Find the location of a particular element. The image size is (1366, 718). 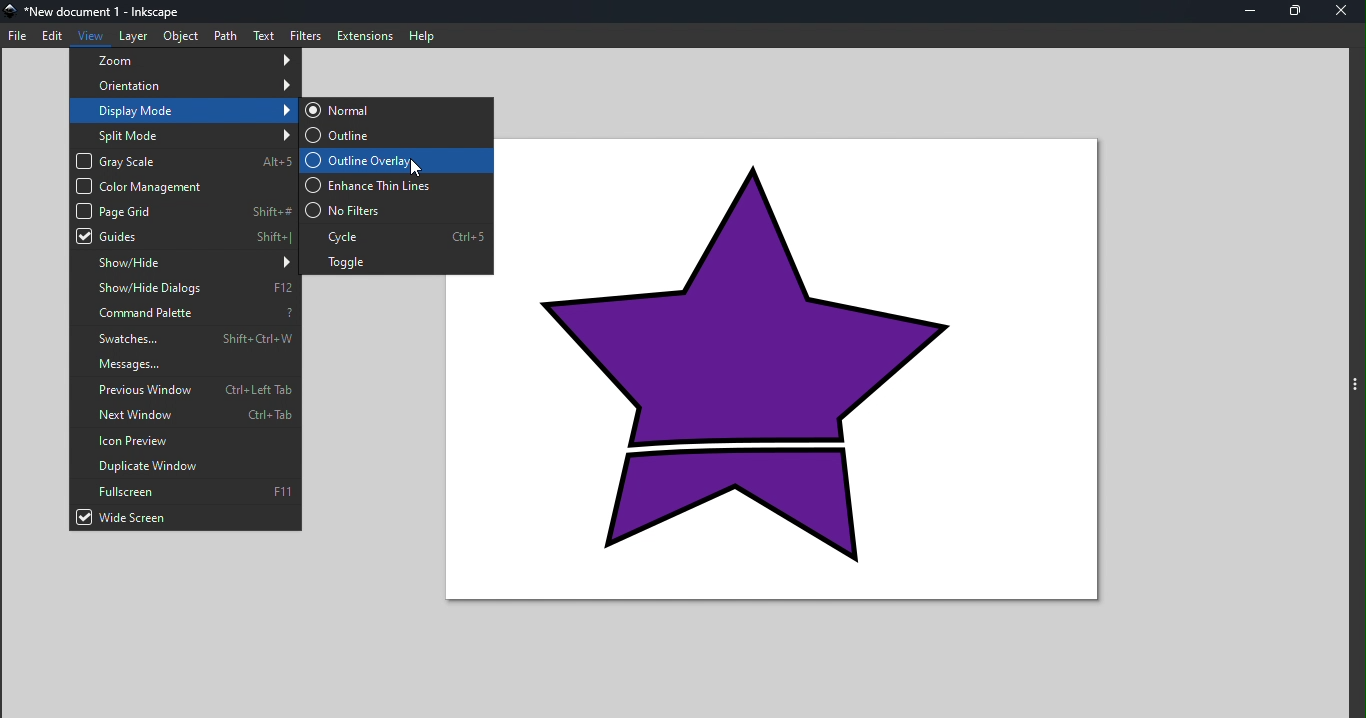

Path is located at coordinates (229, 32).